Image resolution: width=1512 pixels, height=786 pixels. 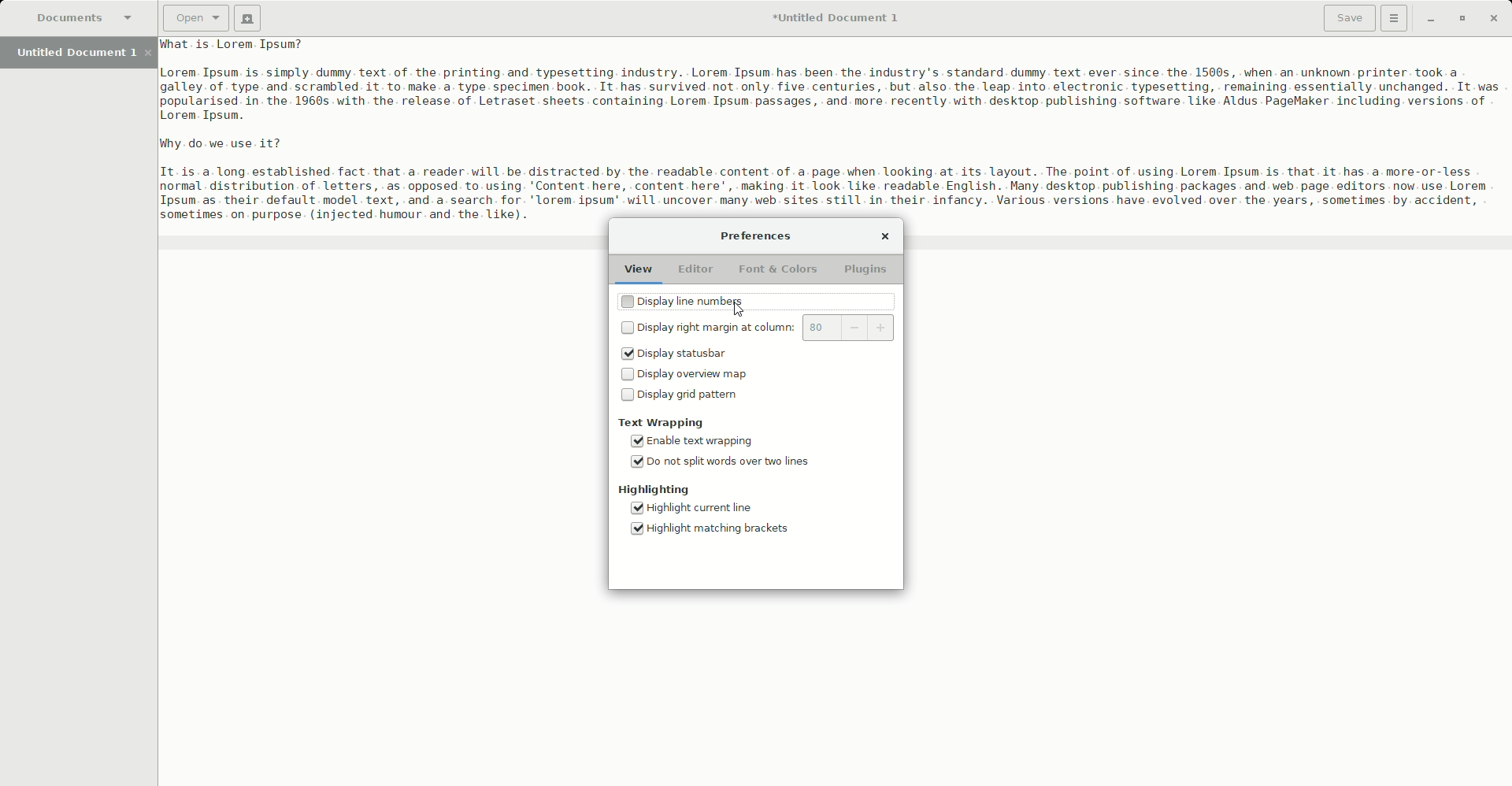 What do you see at coordinates (831, 128) in the screenshot?
I see `Paragraphs` at bounding box center [831, 128].